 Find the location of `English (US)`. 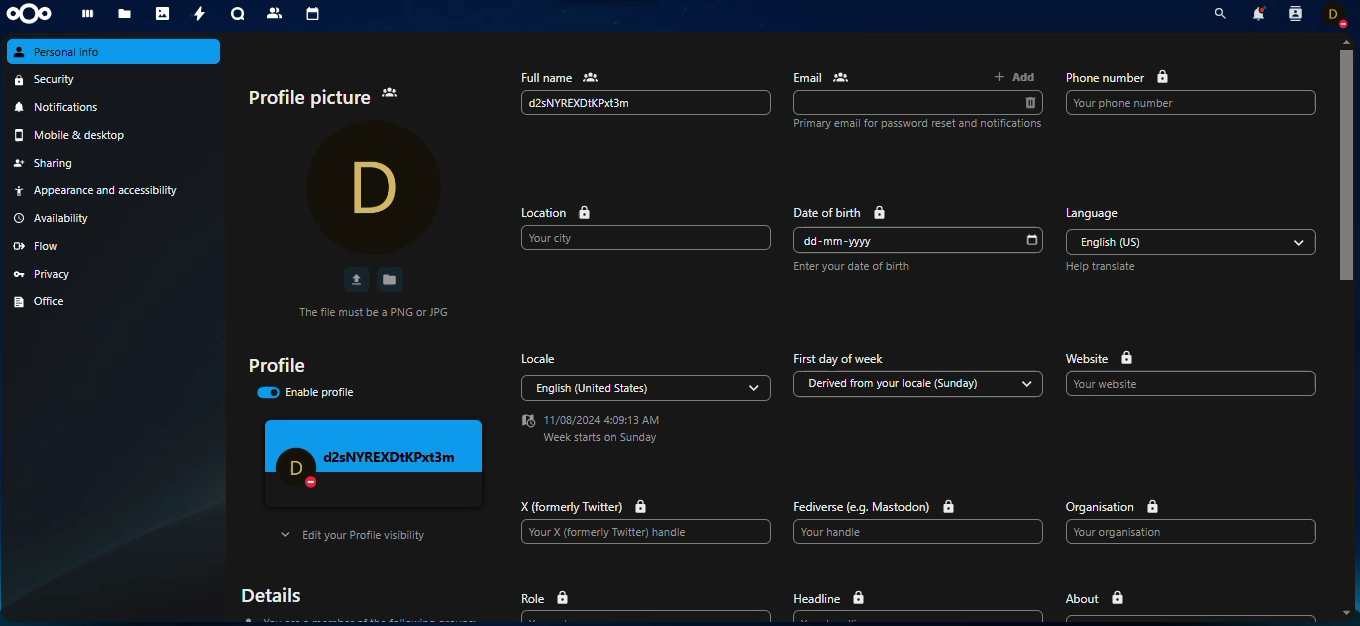

English (US) is located at coordinates (1176, 242).